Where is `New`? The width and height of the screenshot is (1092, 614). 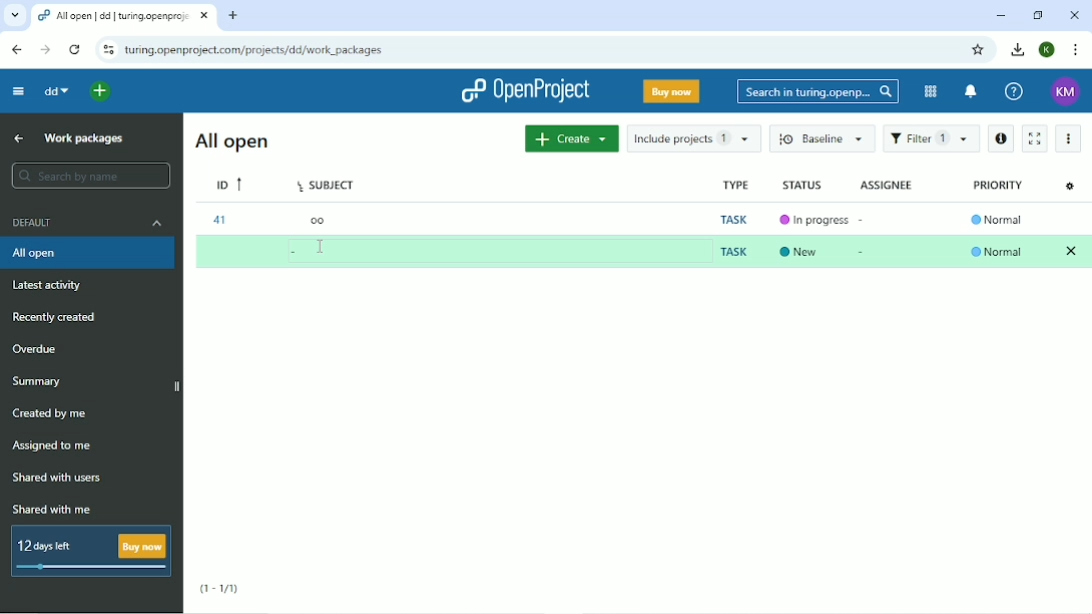 New is located at coordinates (799, 250).